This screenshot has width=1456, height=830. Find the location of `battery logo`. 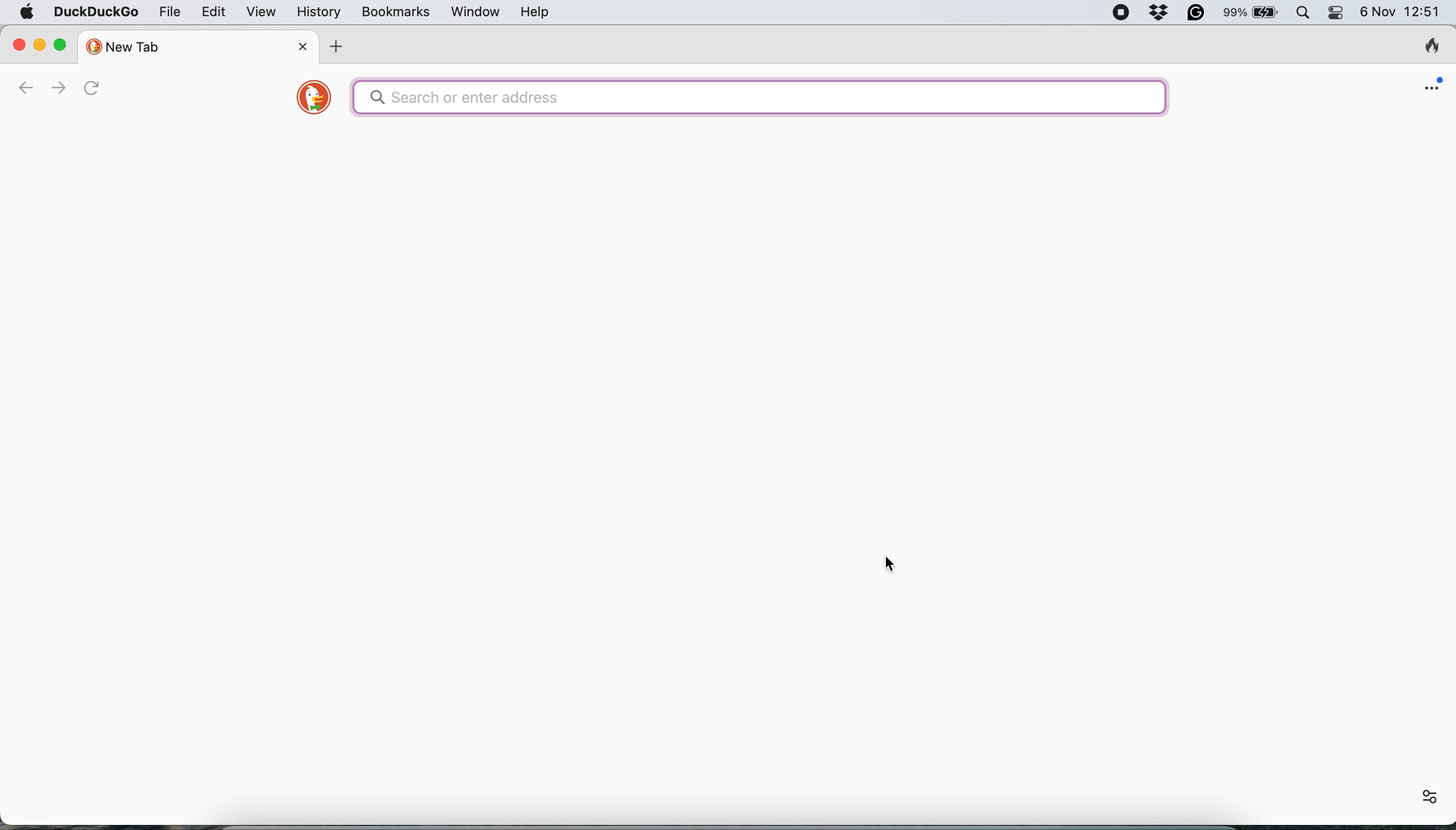

battery logo is located at coordinates (1269, 13).